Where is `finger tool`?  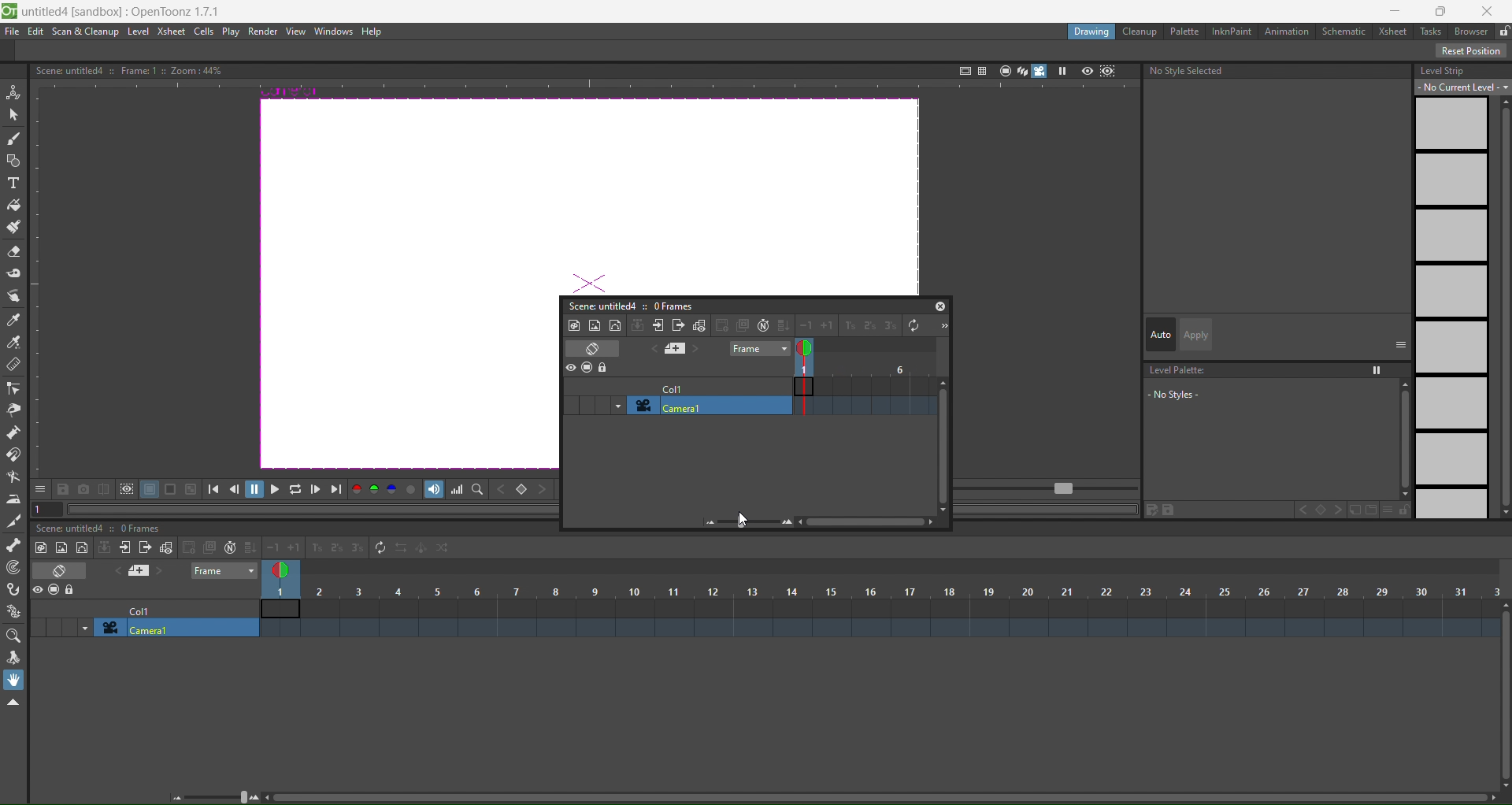
finger tool is located at coordinates (14, 298).